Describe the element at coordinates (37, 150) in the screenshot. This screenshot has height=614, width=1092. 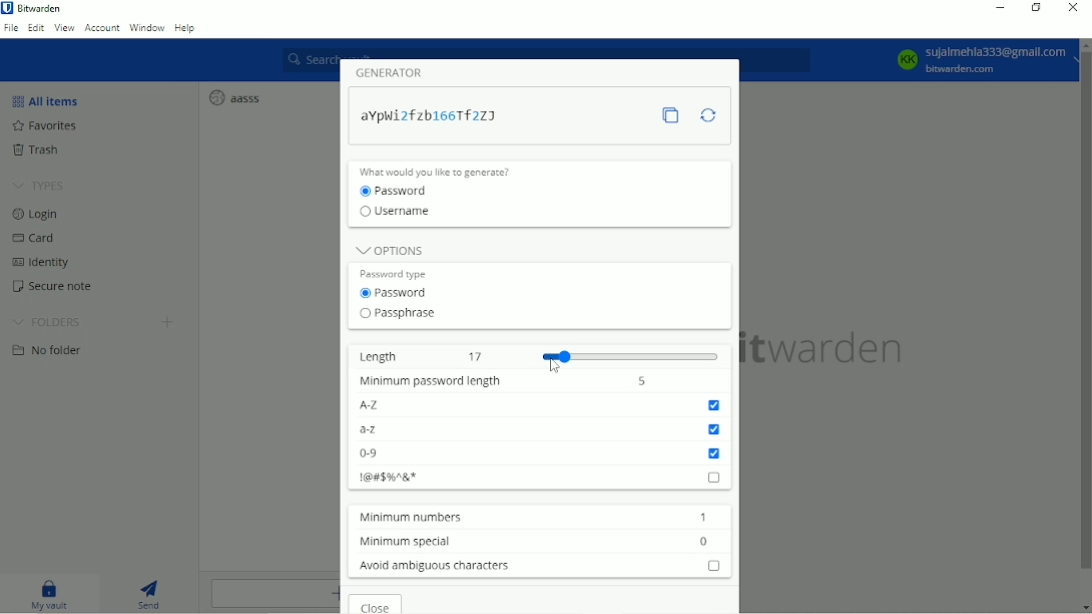
I see `Trash` at that location.